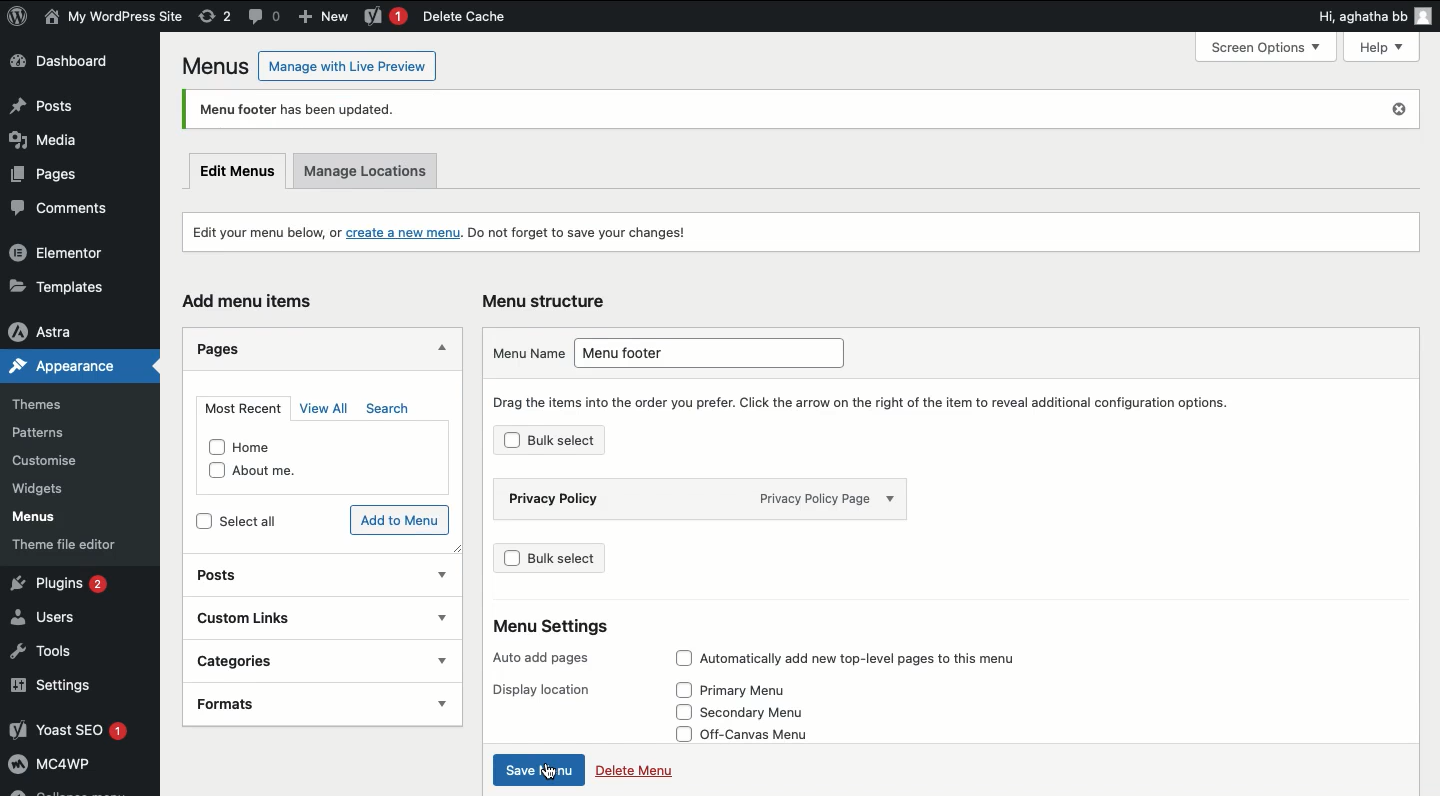 This screenshot has height=796, width=1440. I want to click on show, so click(435, 621).